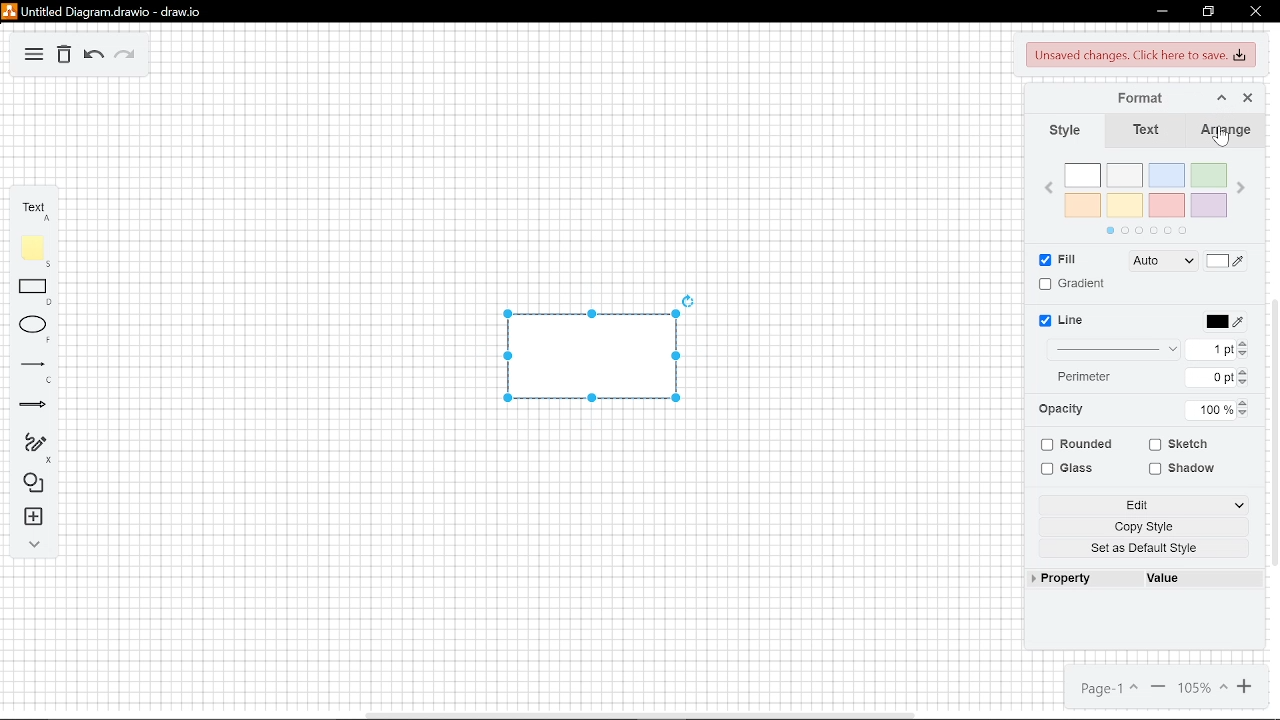 This screenshot has height=720, width=1280. Describe the element at coordinates (1083, 205) in the screenshot. I see `orange` at that location.